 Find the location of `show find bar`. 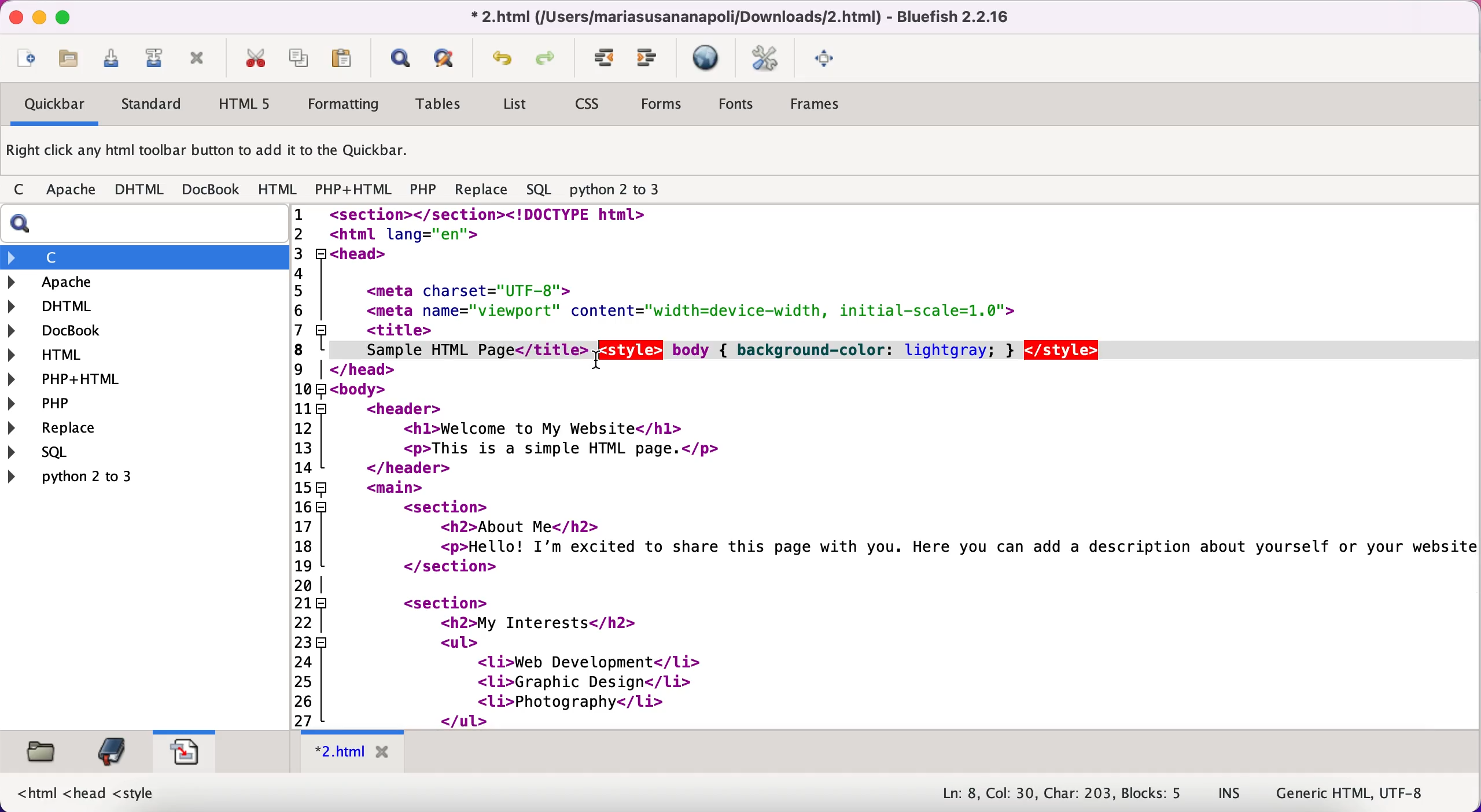

show find bar is located at coordinates (400, 60).